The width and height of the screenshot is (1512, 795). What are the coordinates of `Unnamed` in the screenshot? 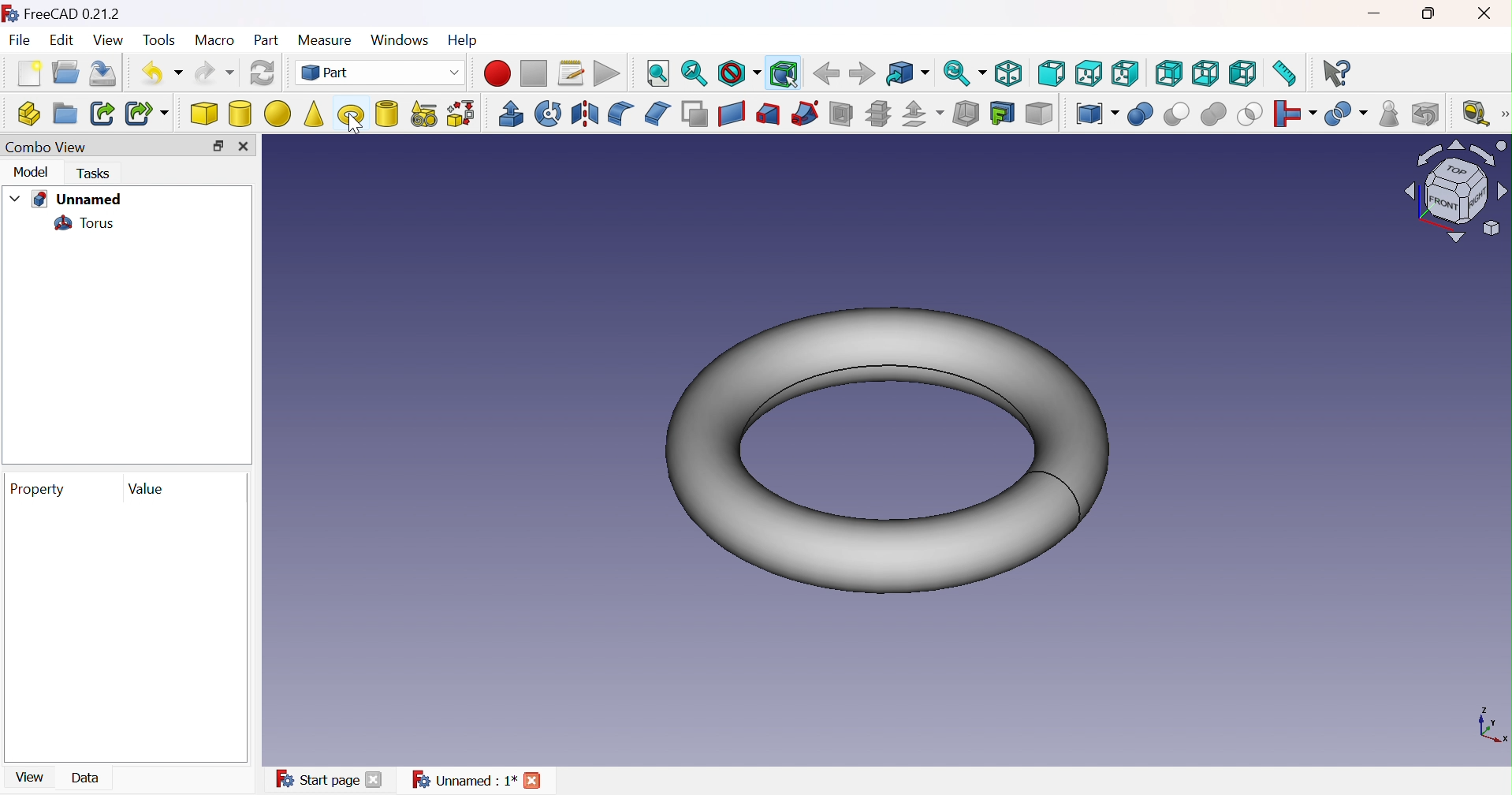 It's located at (76, 198).